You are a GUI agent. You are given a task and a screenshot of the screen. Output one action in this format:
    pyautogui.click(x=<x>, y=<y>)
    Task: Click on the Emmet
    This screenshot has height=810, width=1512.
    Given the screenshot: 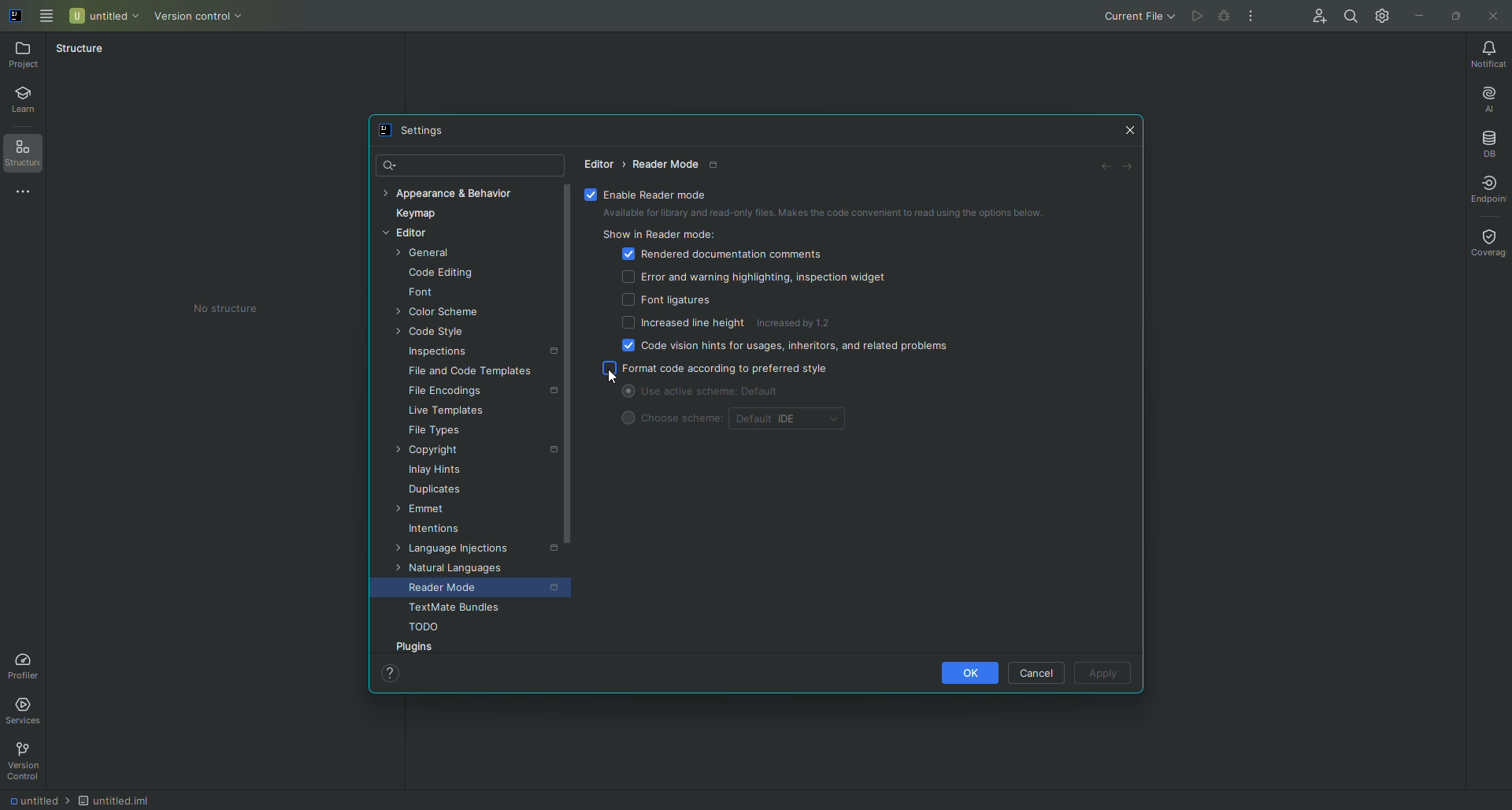 What is the action you would take?
    pyautogui.click(x=423, y=511)
    